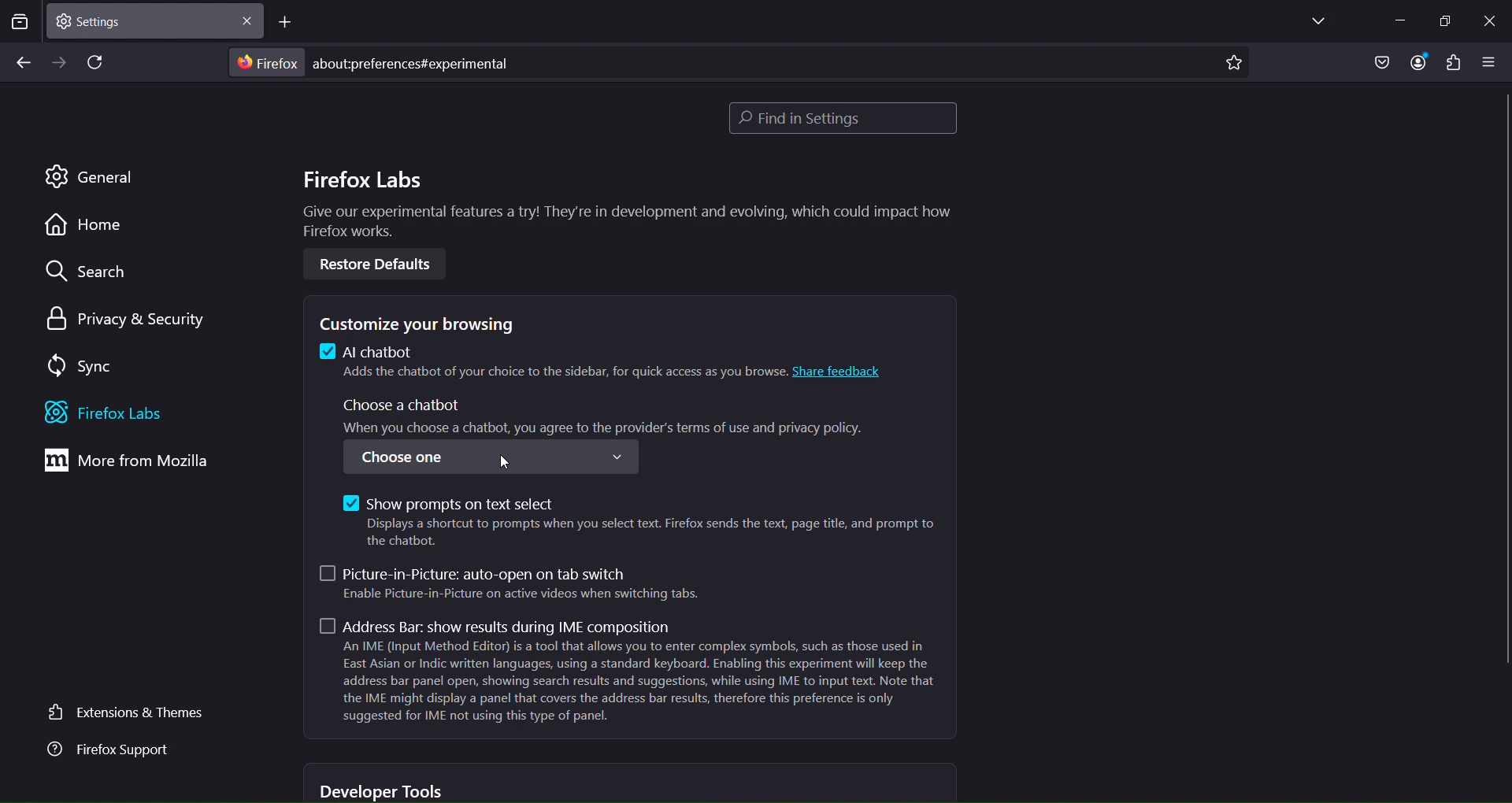  Describe the element at coordinates (384, 790) in the screenshot. I see `developer tools` at that location.